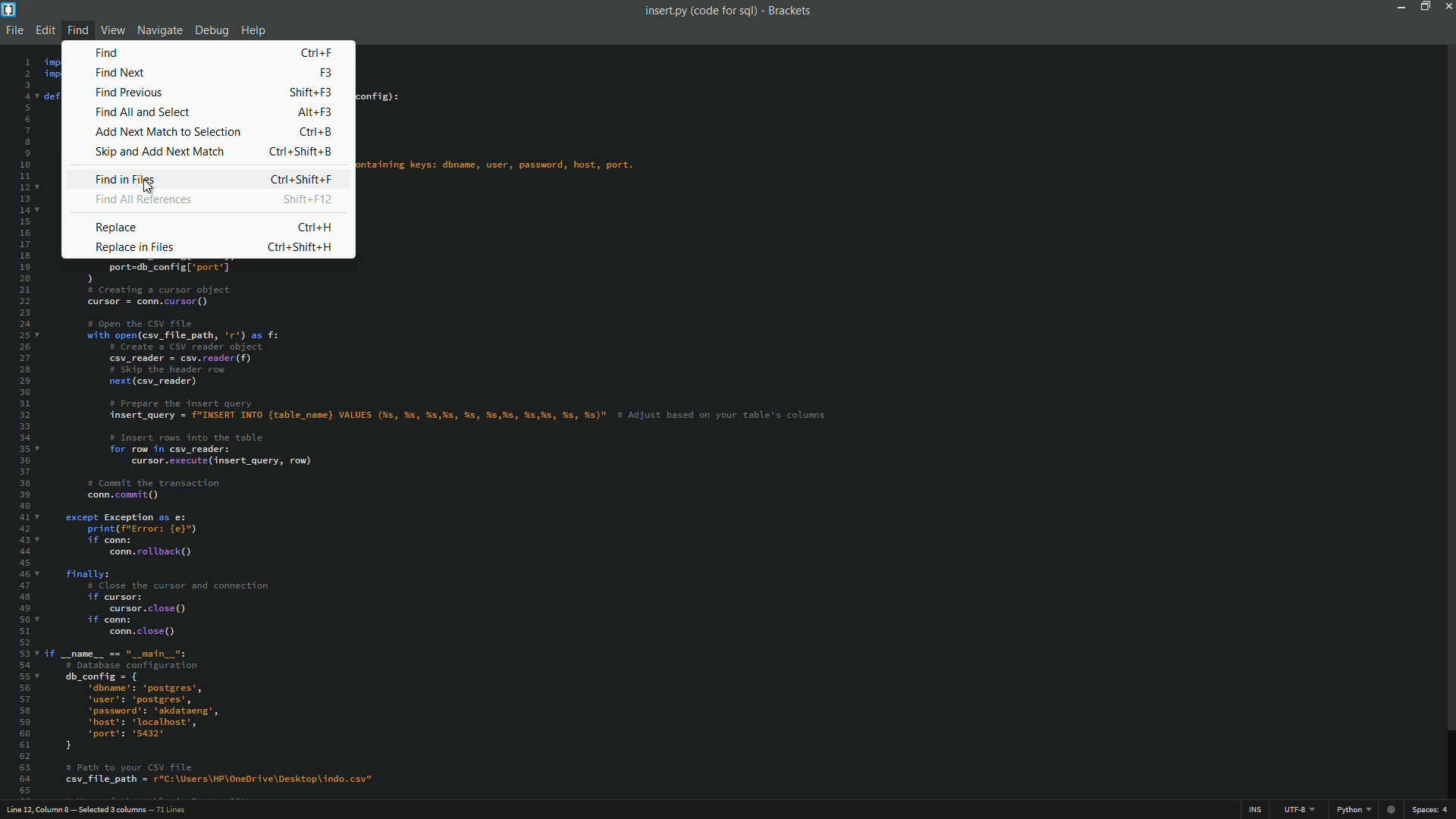 The height and width of the screenshot is (819, 1456). What do you see at coordinates (1422, 6) in the screenshot?
I see `maximize` at bounding box center [1422, 6].